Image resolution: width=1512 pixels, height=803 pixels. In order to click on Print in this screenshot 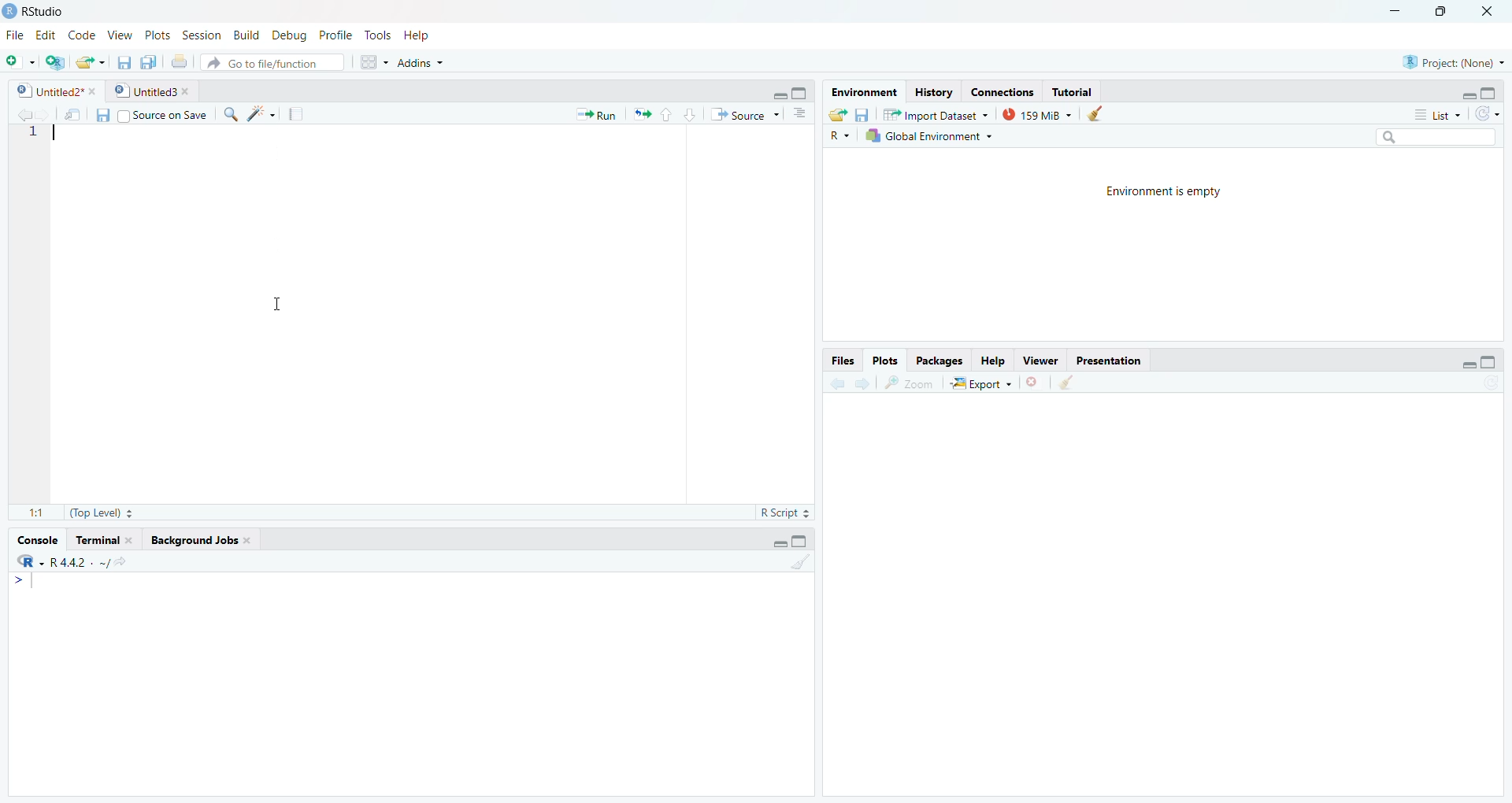, I will do `click(179, 62)`.